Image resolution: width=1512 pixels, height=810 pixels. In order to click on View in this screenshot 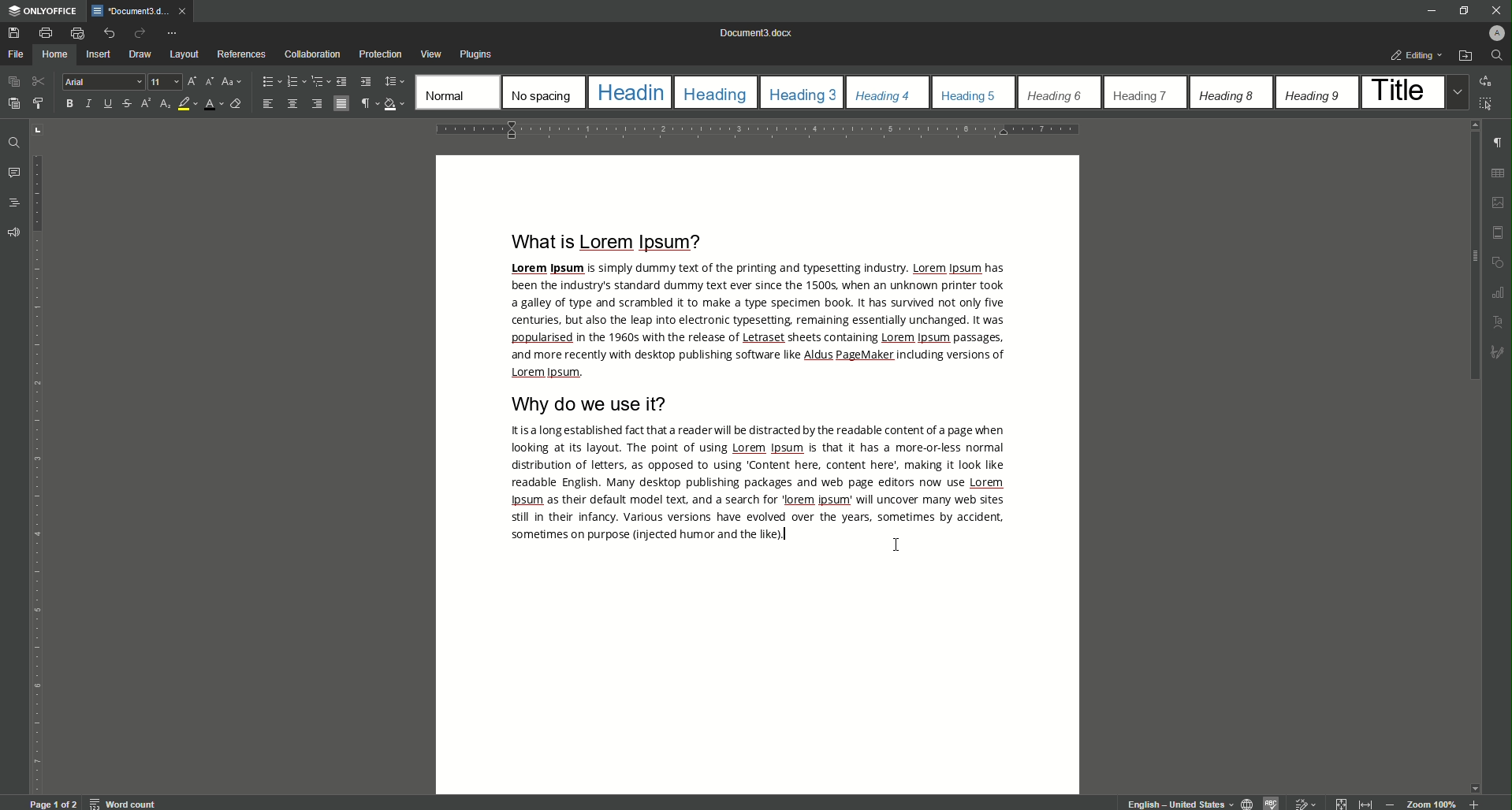, I will do `click(430, 54)`.